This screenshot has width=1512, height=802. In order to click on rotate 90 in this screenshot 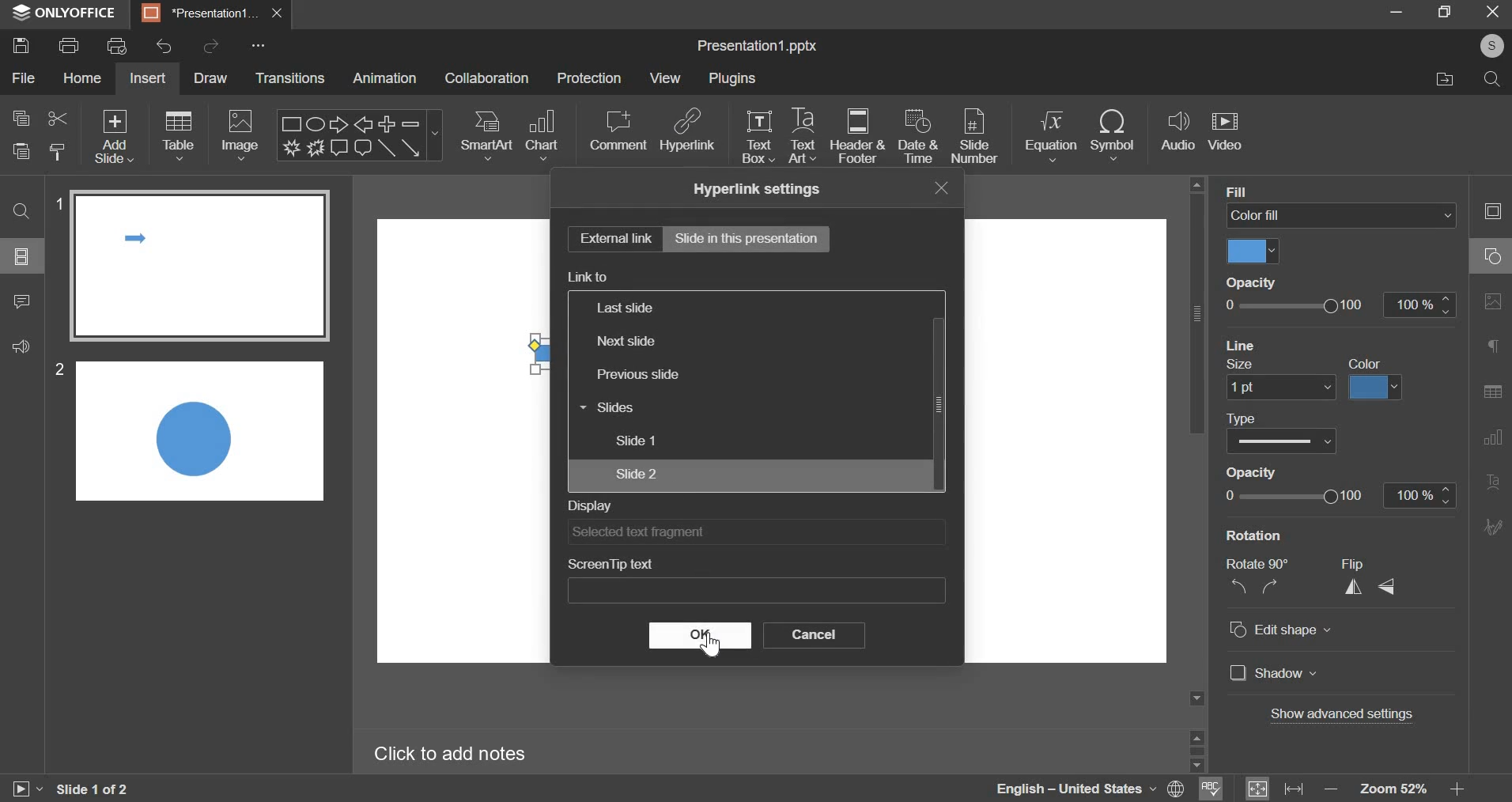, I will do `click(1257, 563)`.